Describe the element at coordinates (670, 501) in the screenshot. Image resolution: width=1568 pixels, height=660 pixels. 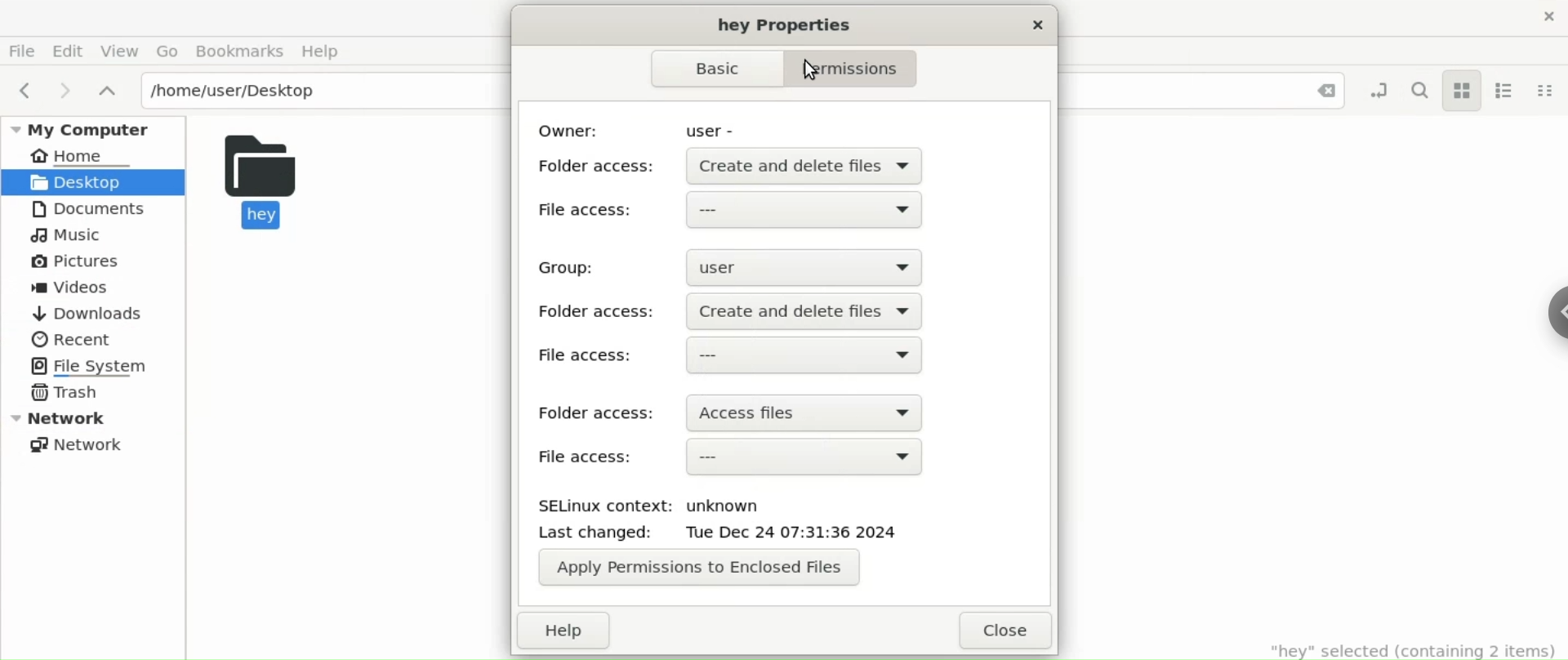
I see `SELinux context: unknown` at that location.